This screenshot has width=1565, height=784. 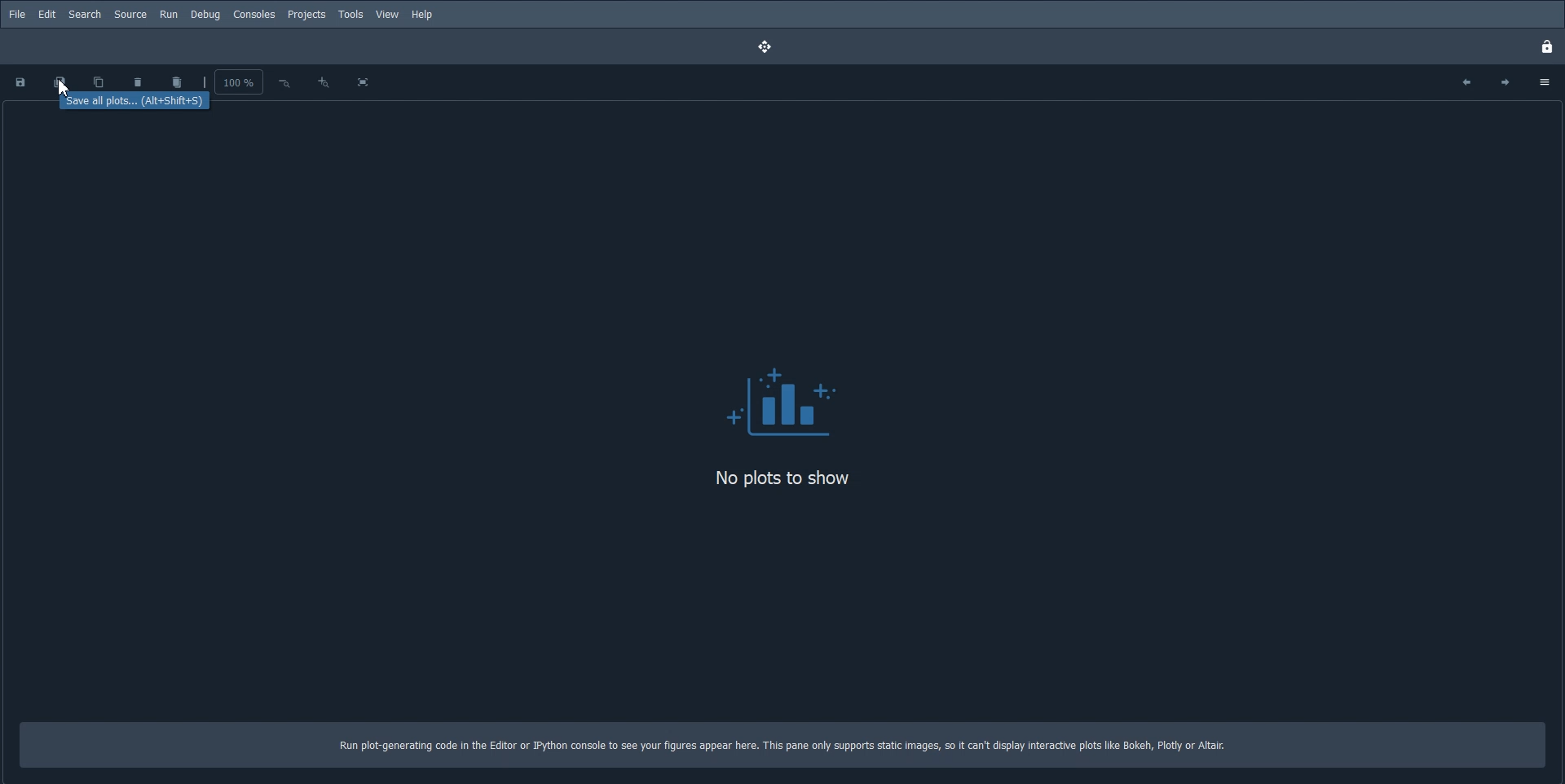 What do you see at coordinates (1469, 80) in the screenshot?
I see `Previous plot` at bounding box center [1469, 80].